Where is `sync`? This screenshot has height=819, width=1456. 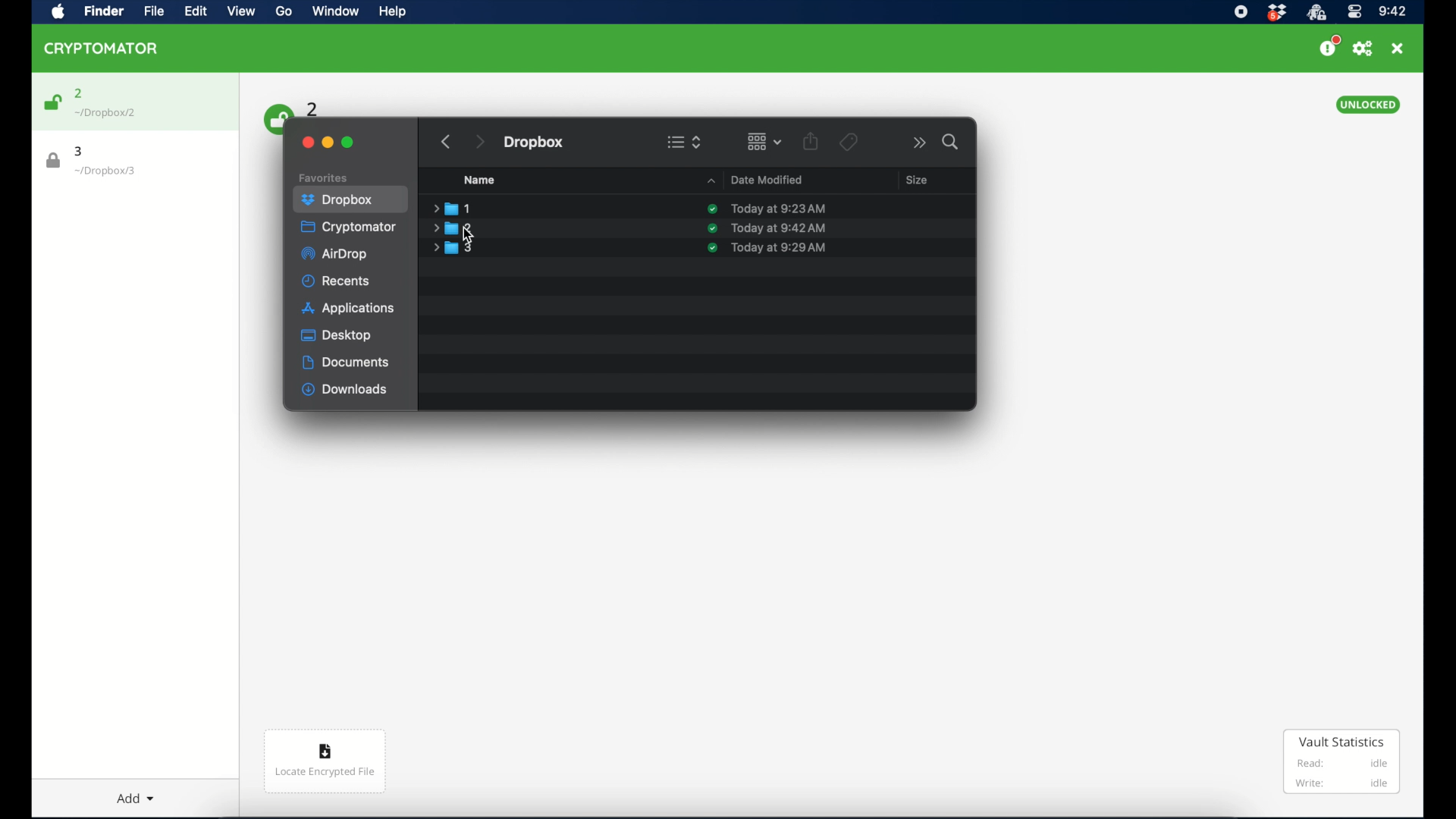 sync is located at coordinates (712, 209).